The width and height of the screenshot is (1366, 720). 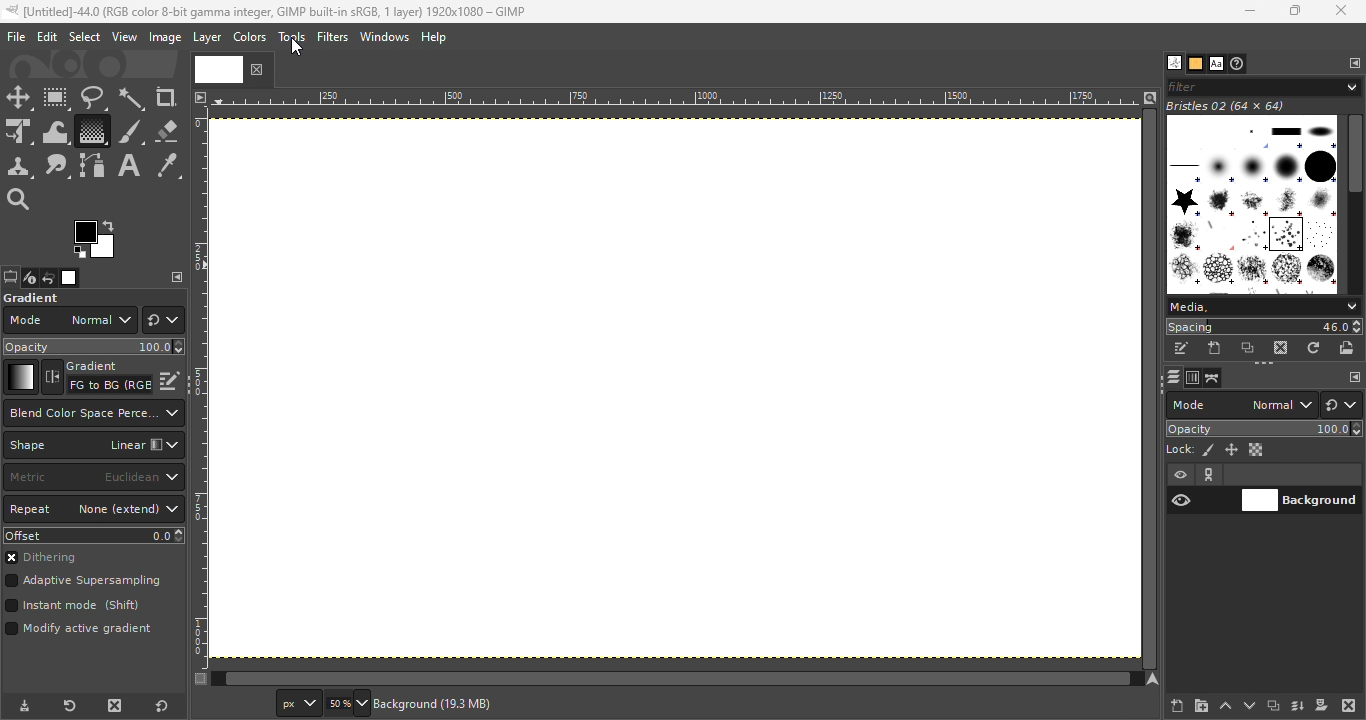 What do you see at coordinates (294, 42) in the screenshot?
I see `Tools` at bounding box center [294, 42].